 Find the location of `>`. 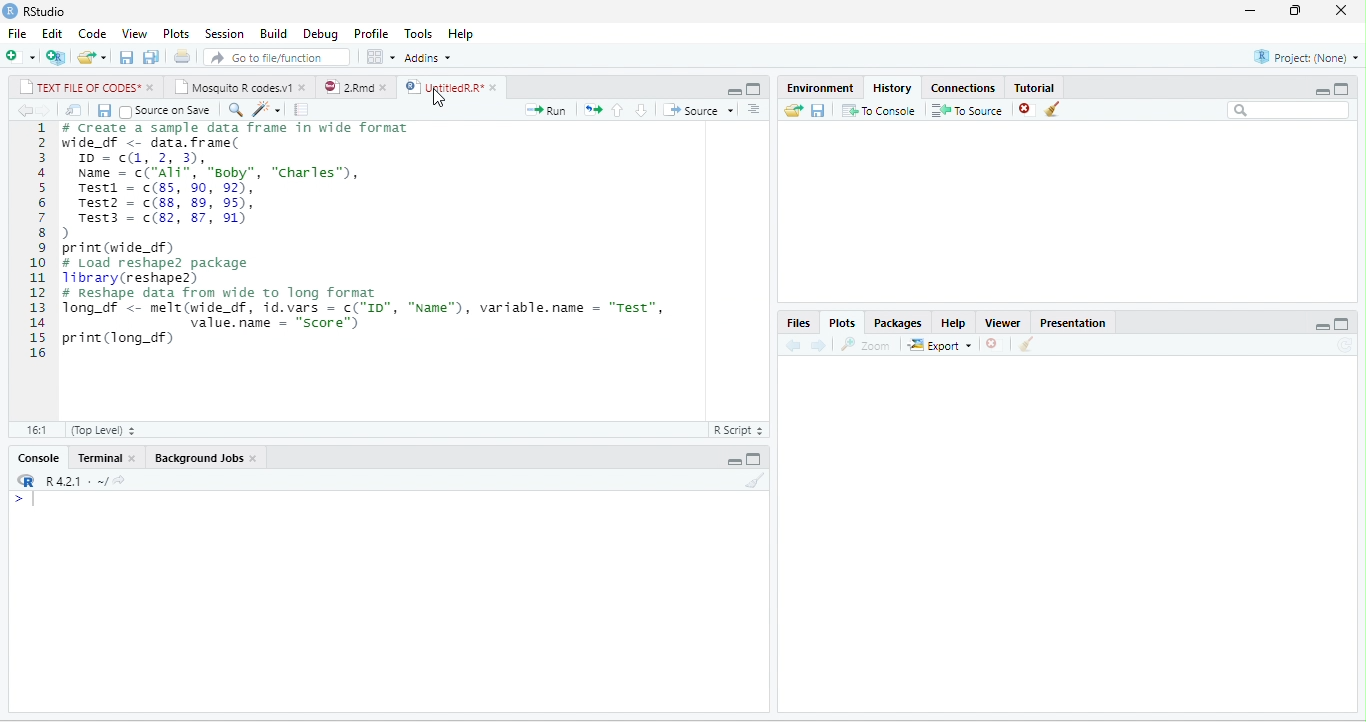

> is located at coordinates (24, 499).